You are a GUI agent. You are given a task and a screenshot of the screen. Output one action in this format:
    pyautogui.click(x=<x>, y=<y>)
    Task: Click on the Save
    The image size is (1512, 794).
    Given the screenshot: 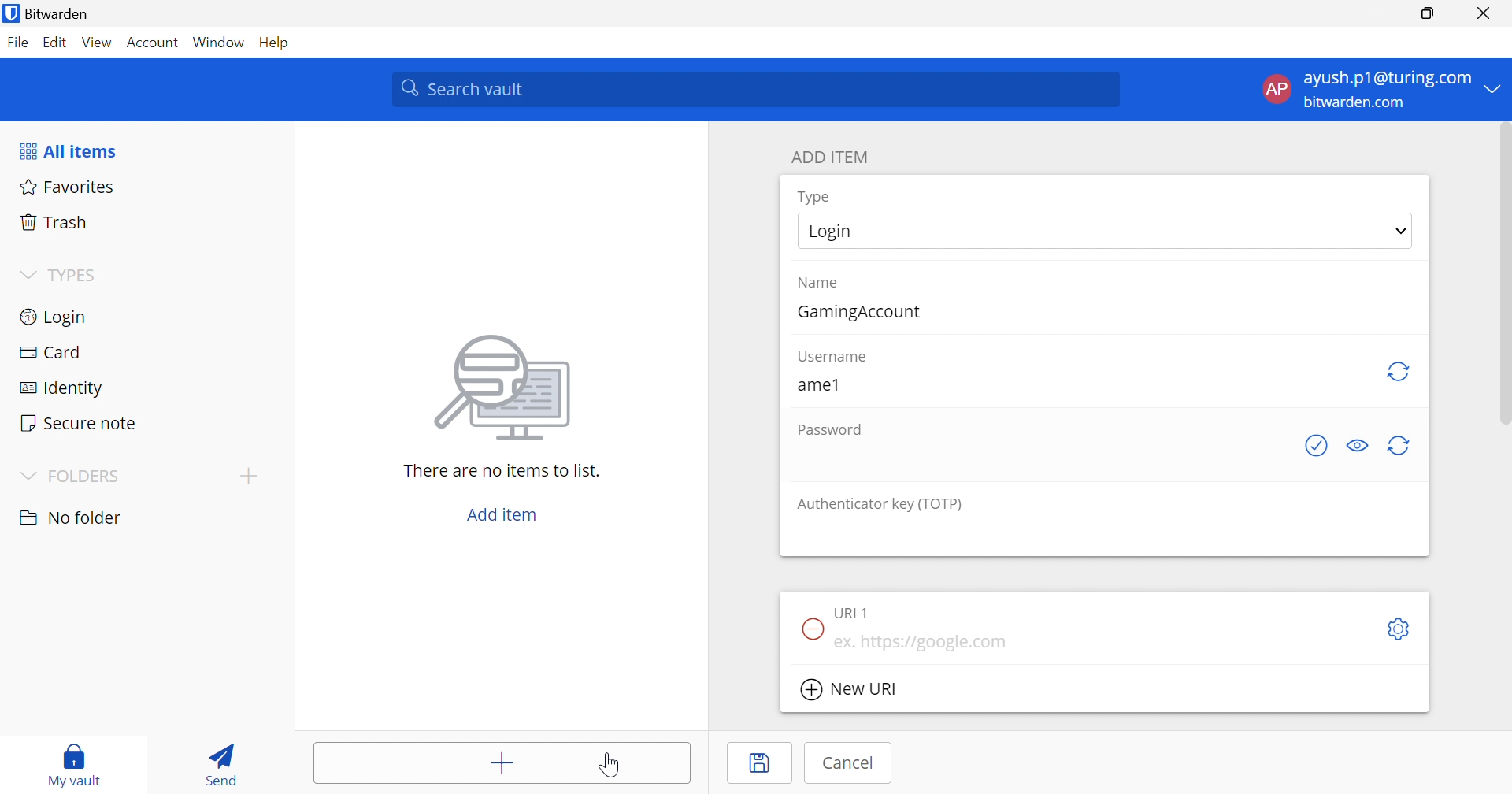 What is the action you would take?
    pyautogui.click(x=762, y=763)
    